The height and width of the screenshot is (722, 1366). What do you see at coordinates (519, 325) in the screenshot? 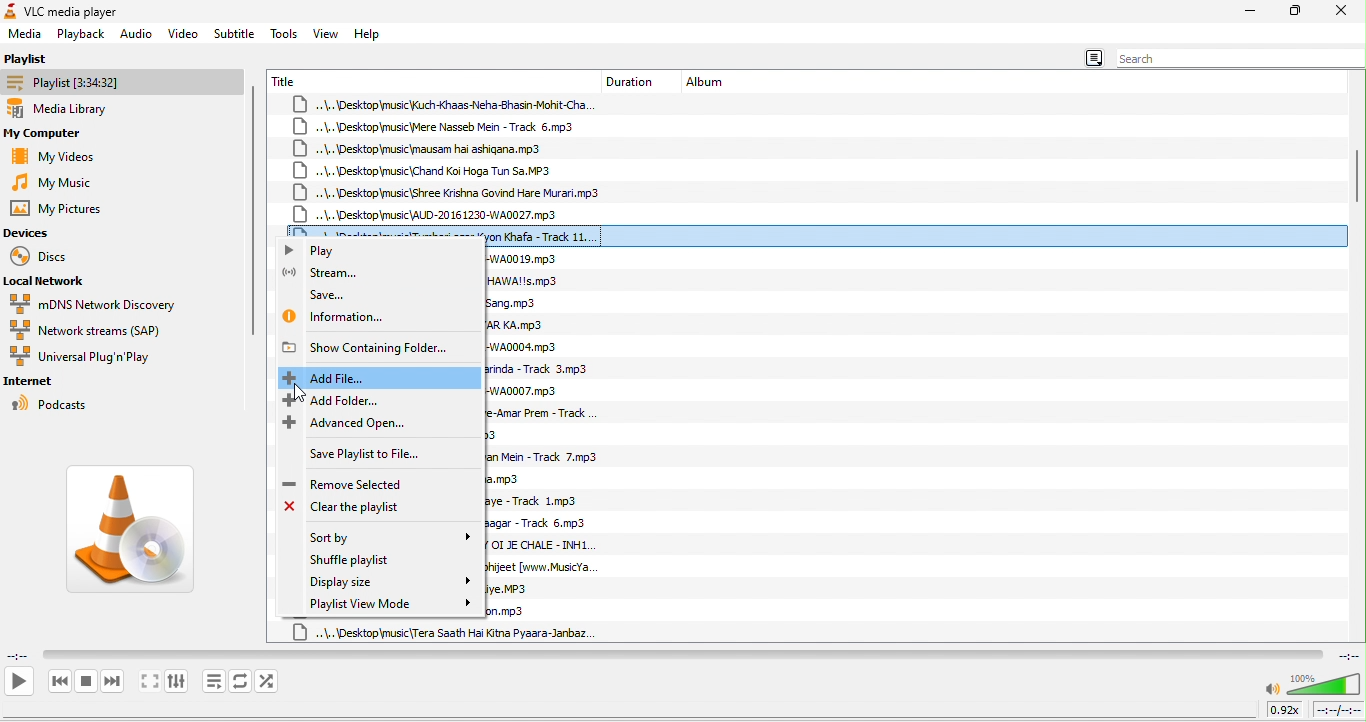
I see `««\.. \Desktop\music\YEH SILSILA PYAR KA.mp3` at bounding box center [519, 325].